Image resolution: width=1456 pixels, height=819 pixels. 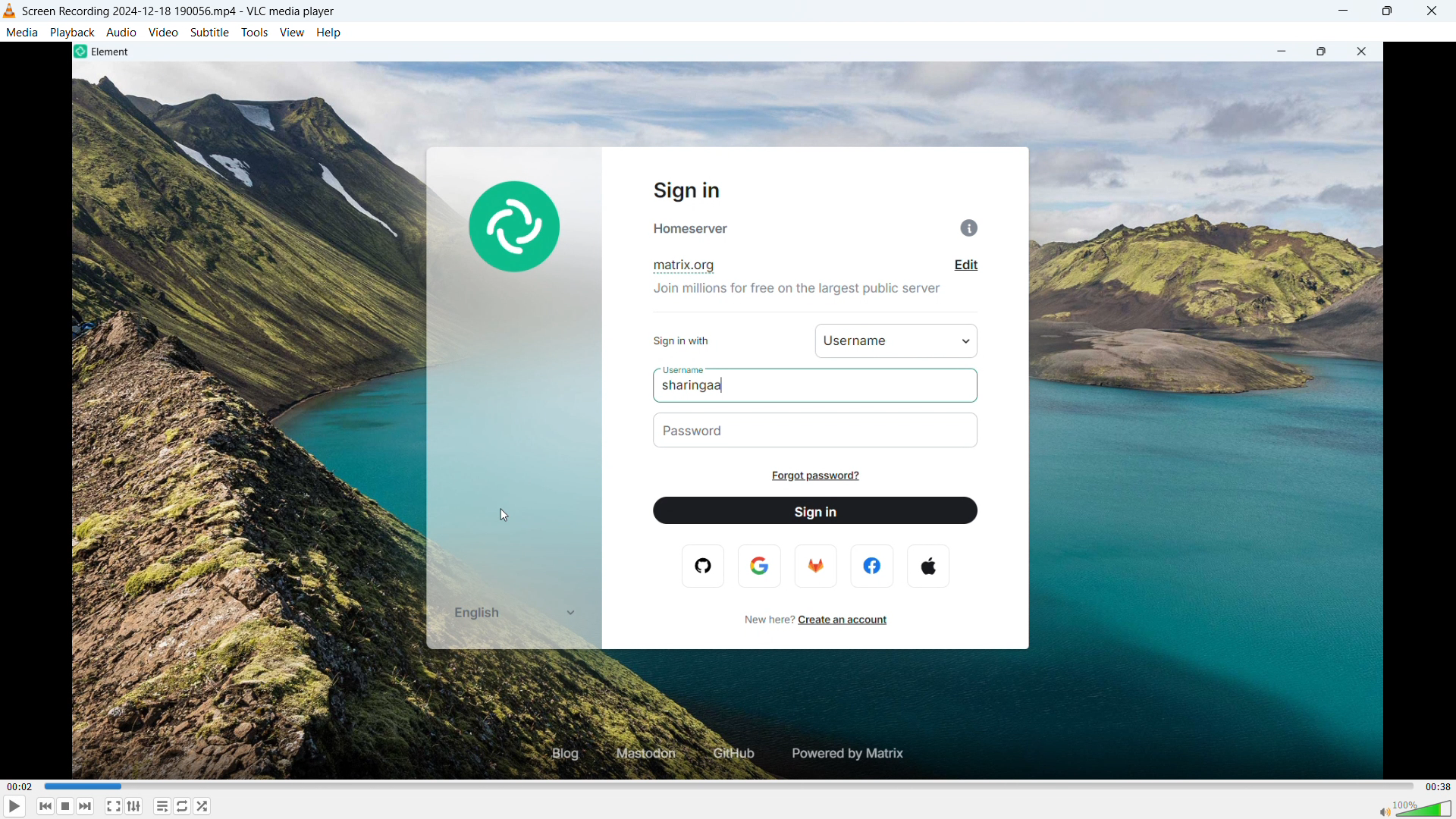 I want to click on subtitle, so click(x=210, y=32).